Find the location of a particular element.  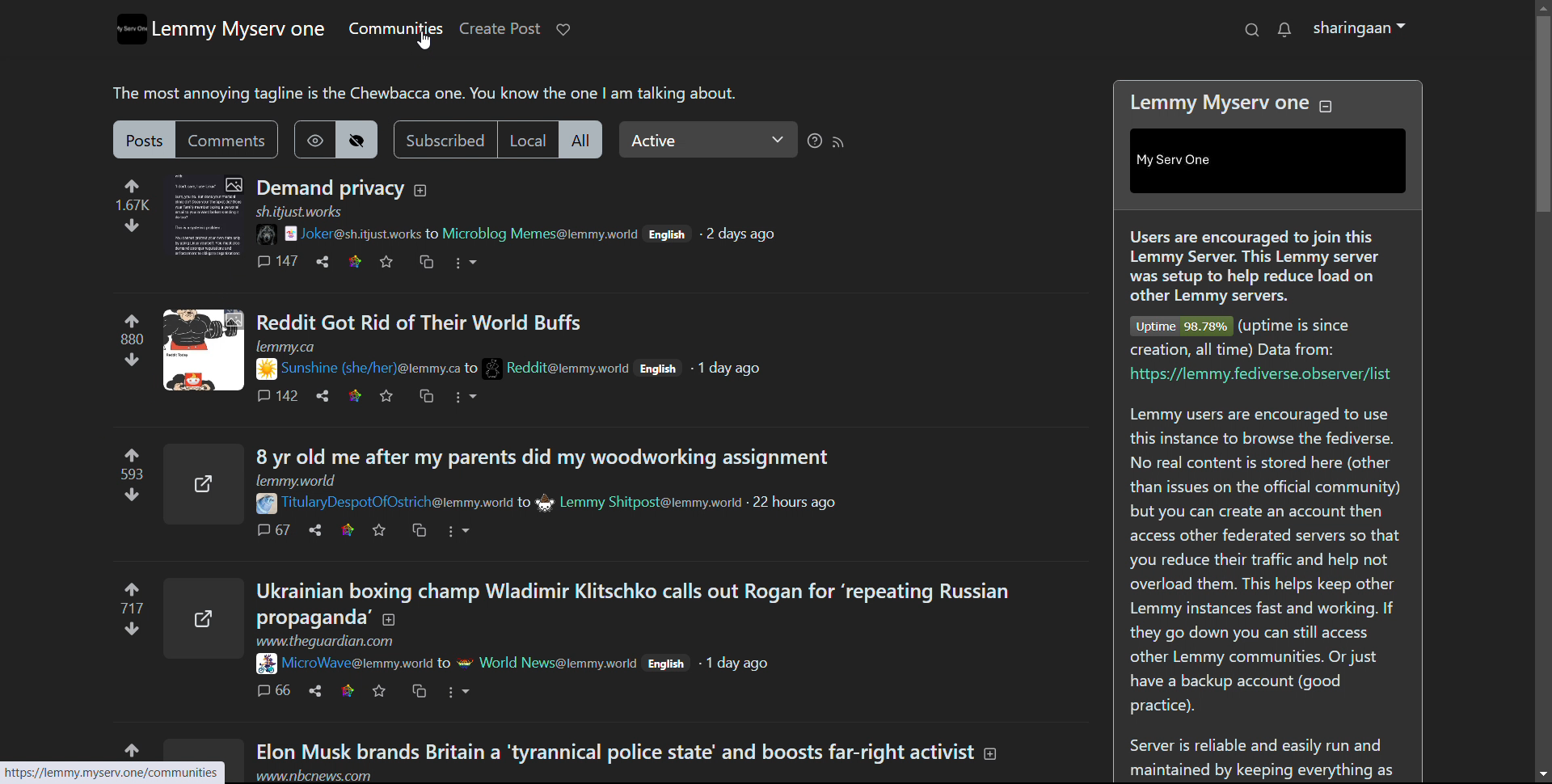

downvote is located at coordinates (130, 495).